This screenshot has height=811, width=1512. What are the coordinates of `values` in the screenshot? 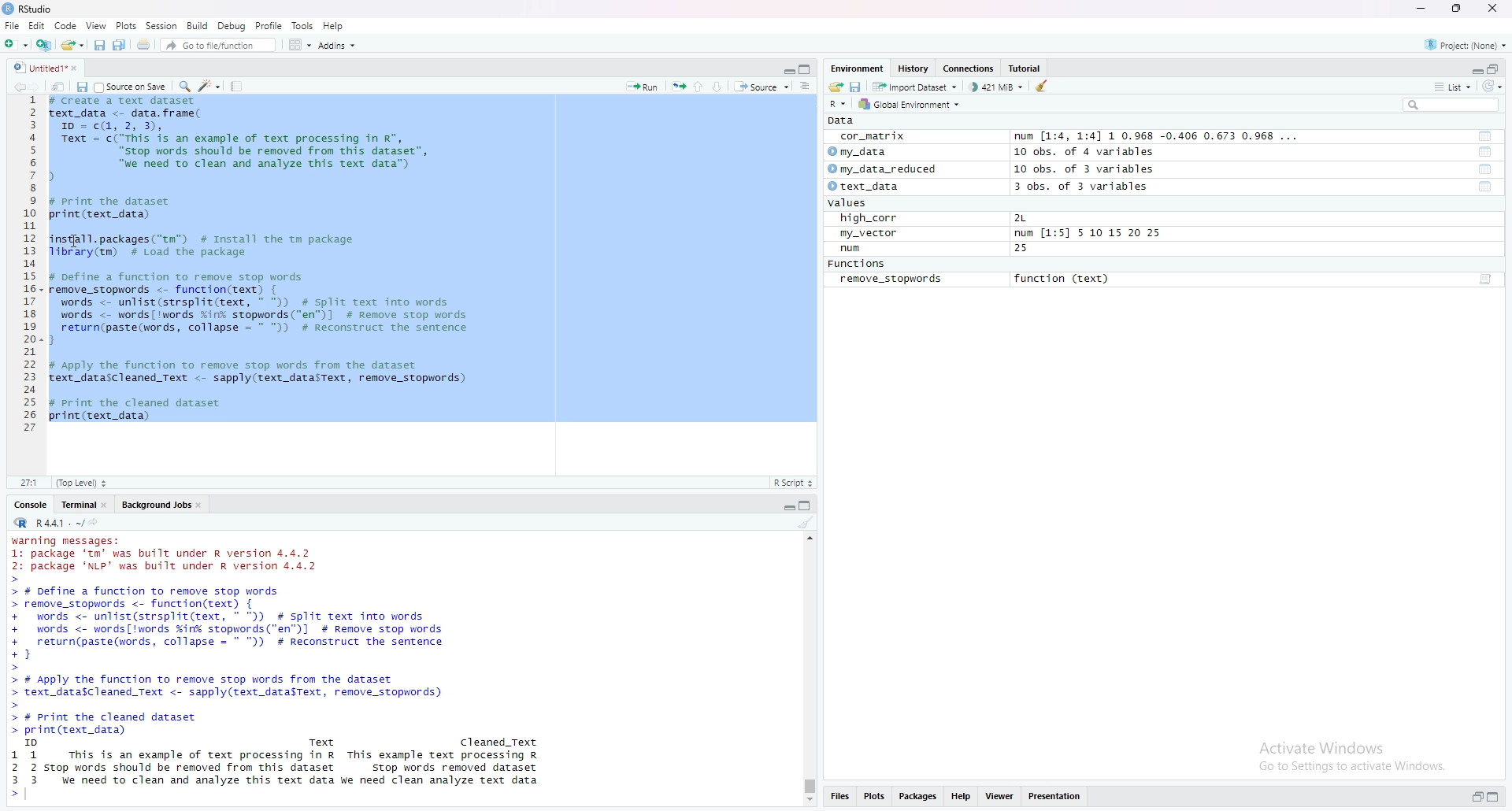 It's located at (843, 204).